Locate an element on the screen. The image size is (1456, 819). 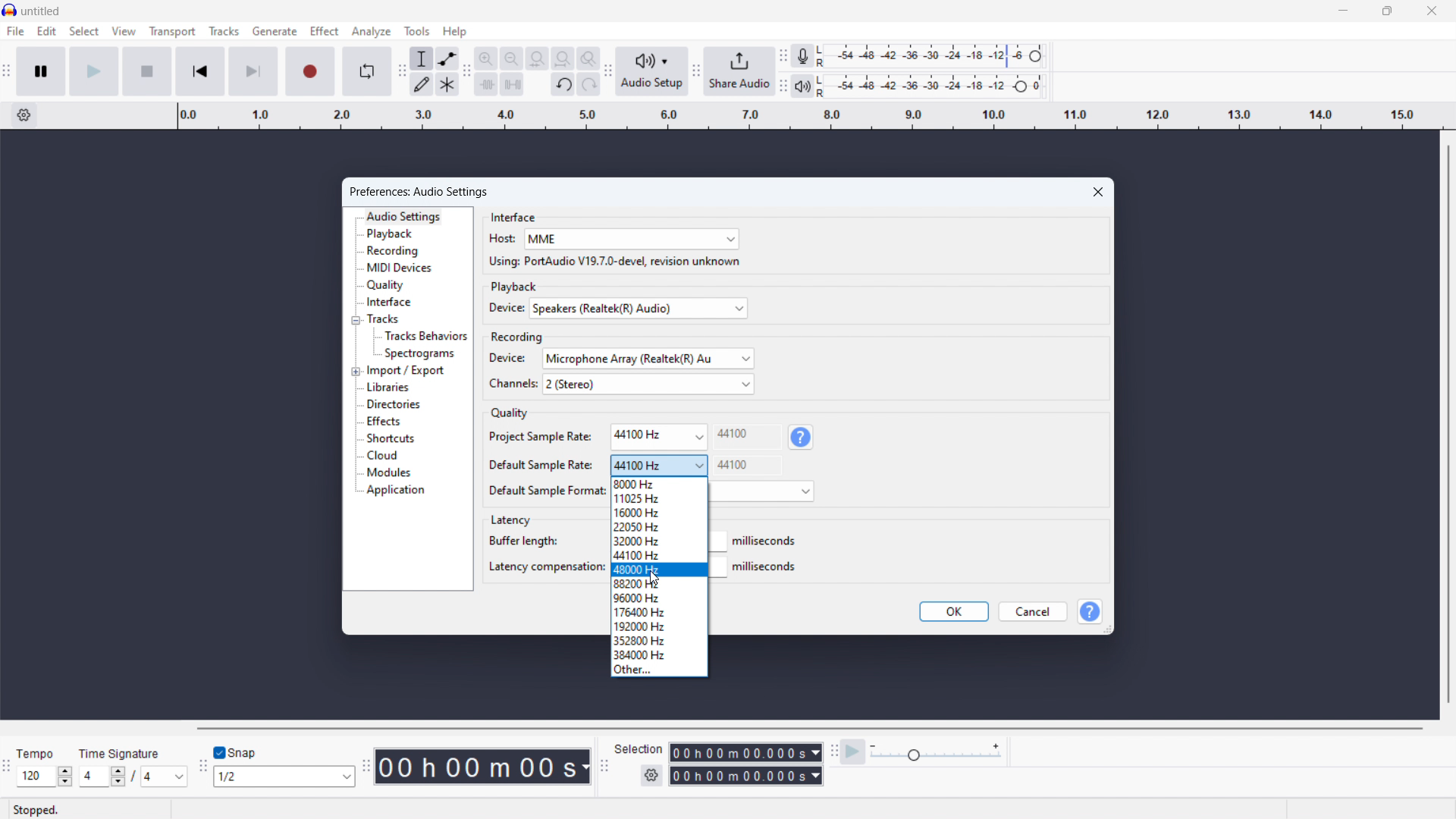
Selection is located at coordinates (641, 748).